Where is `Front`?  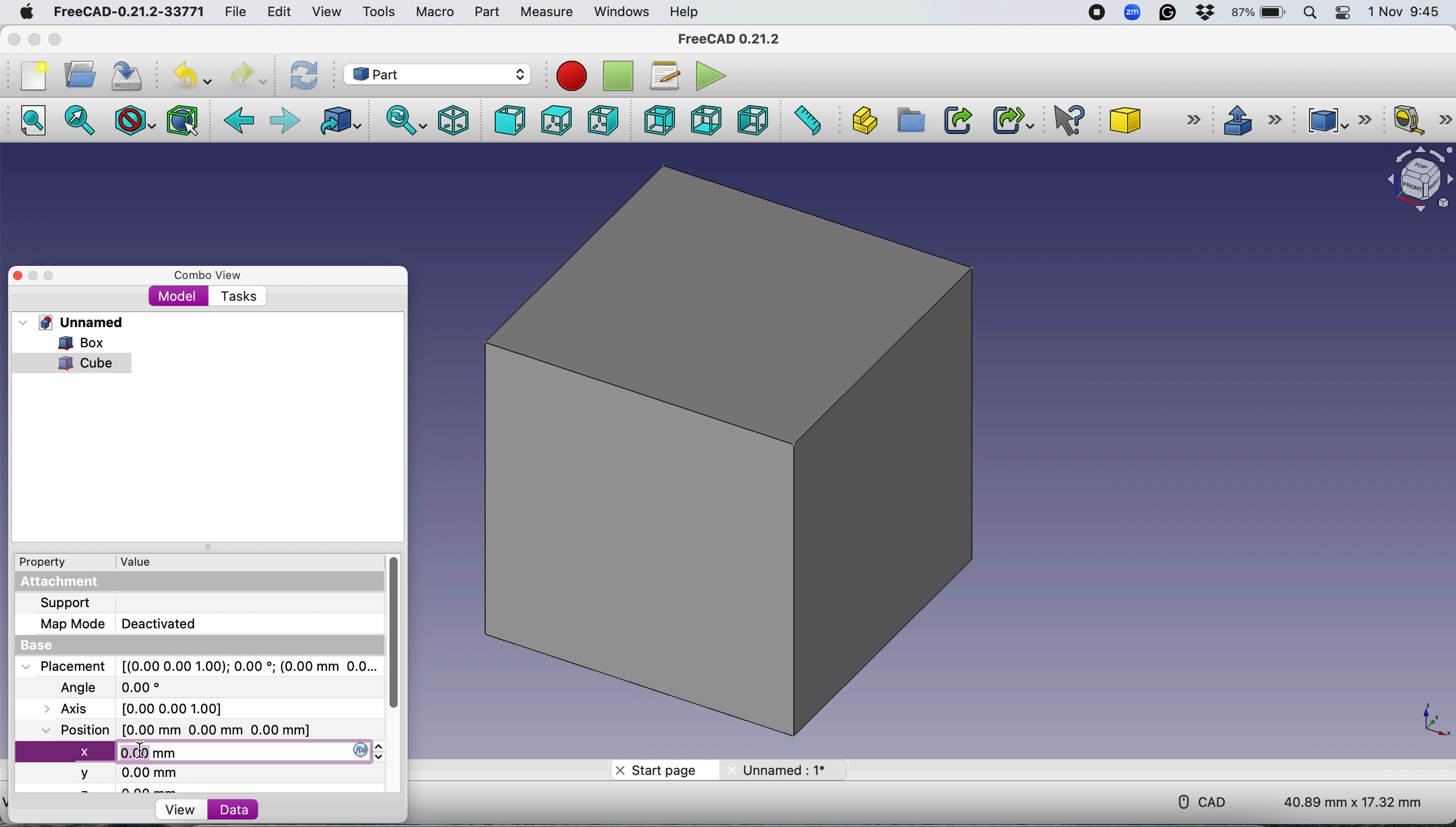
Front is located at coordinates (506, 120).